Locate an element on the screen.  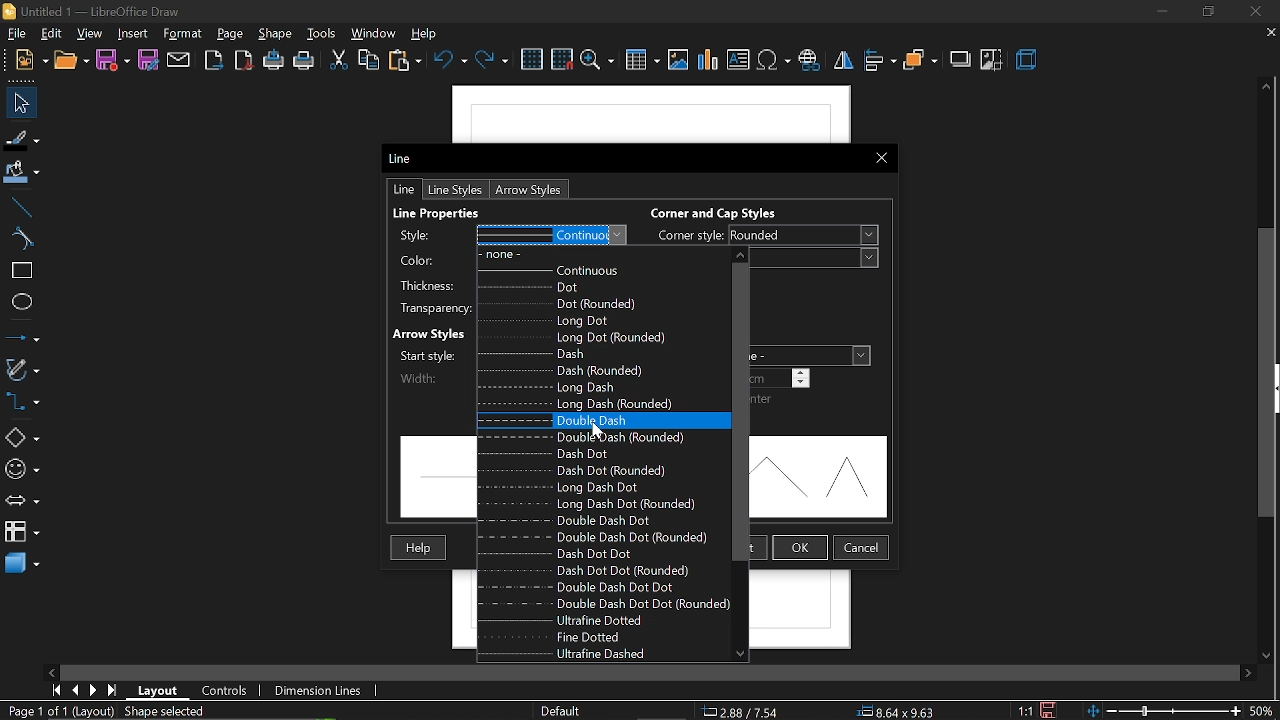
Dot is located at coordinates (599, 288).